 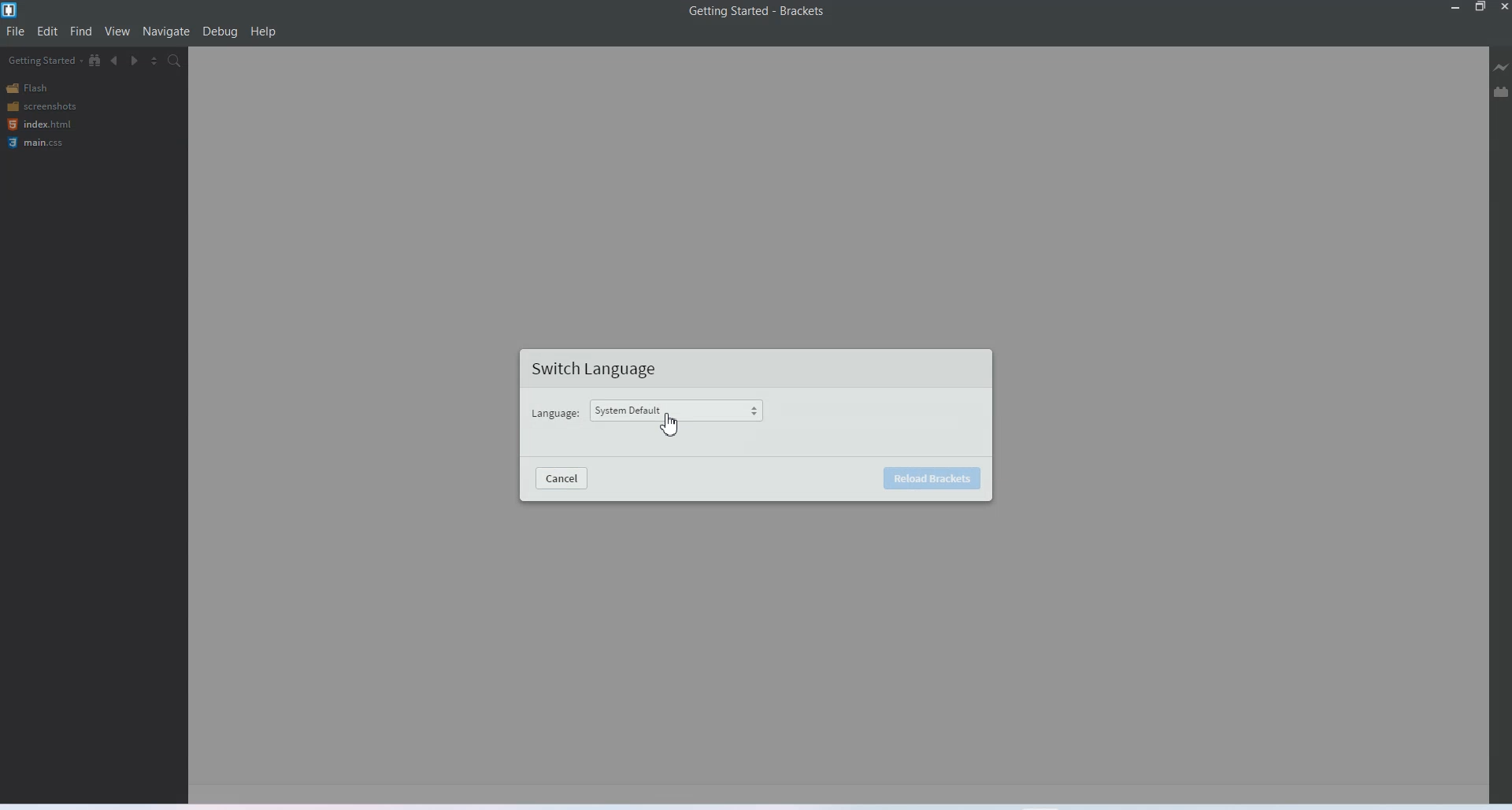 What do you see at coordinates (1501, 91) in the screenshot?
I see `Extension manager` at bounding box center [1501, 91].